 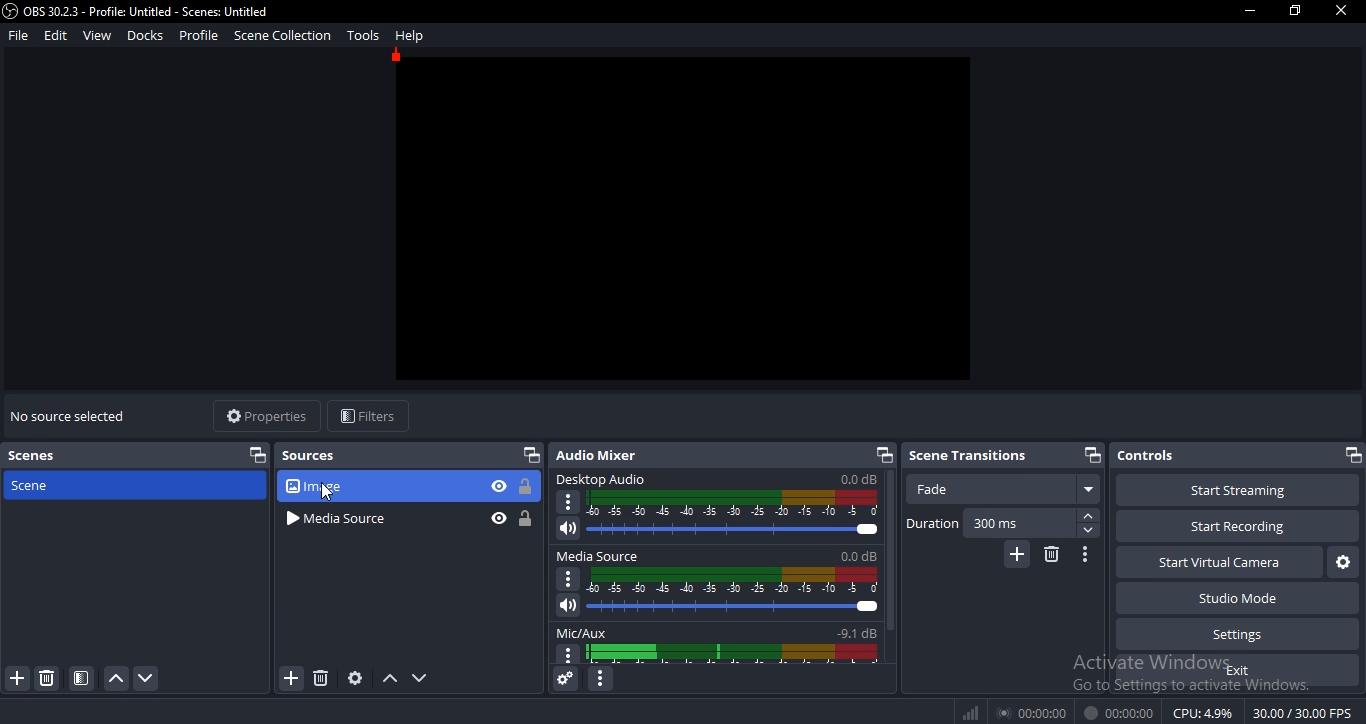 What do you see at coordinates (18, 678) in the screenshot?
I see `add scene` at bounding box center [18, 678].